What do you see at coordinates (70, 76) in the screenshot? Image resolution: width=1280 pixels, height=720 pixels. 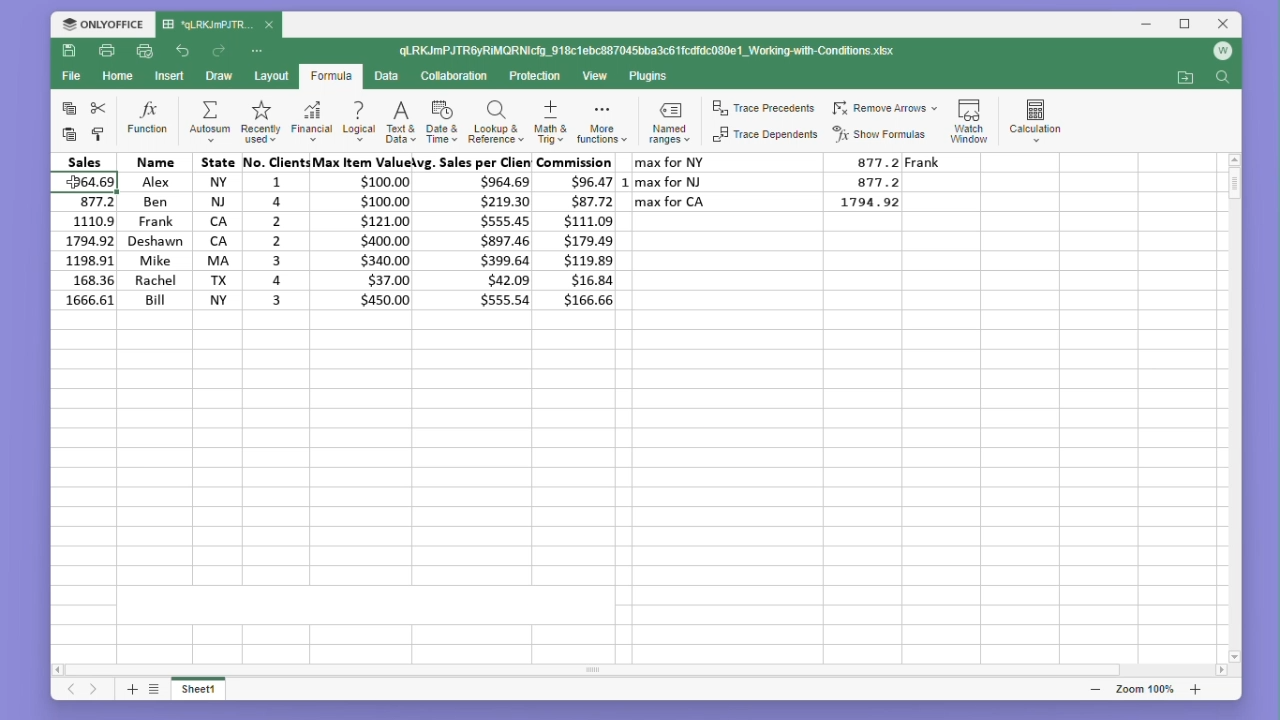 I see `File` at bounding box center [70, 76].